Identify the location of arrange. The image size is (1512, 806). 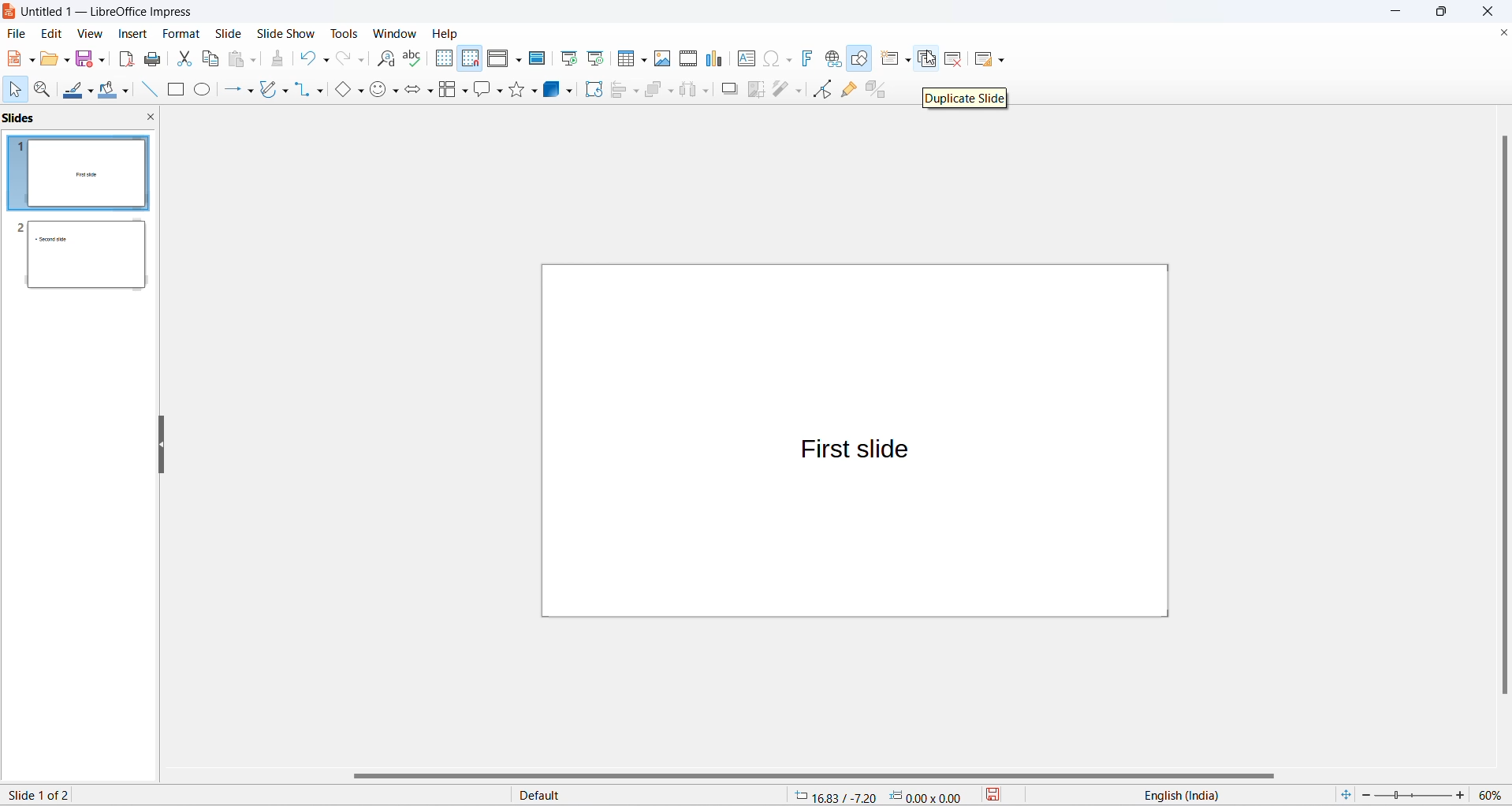
(654, 91).